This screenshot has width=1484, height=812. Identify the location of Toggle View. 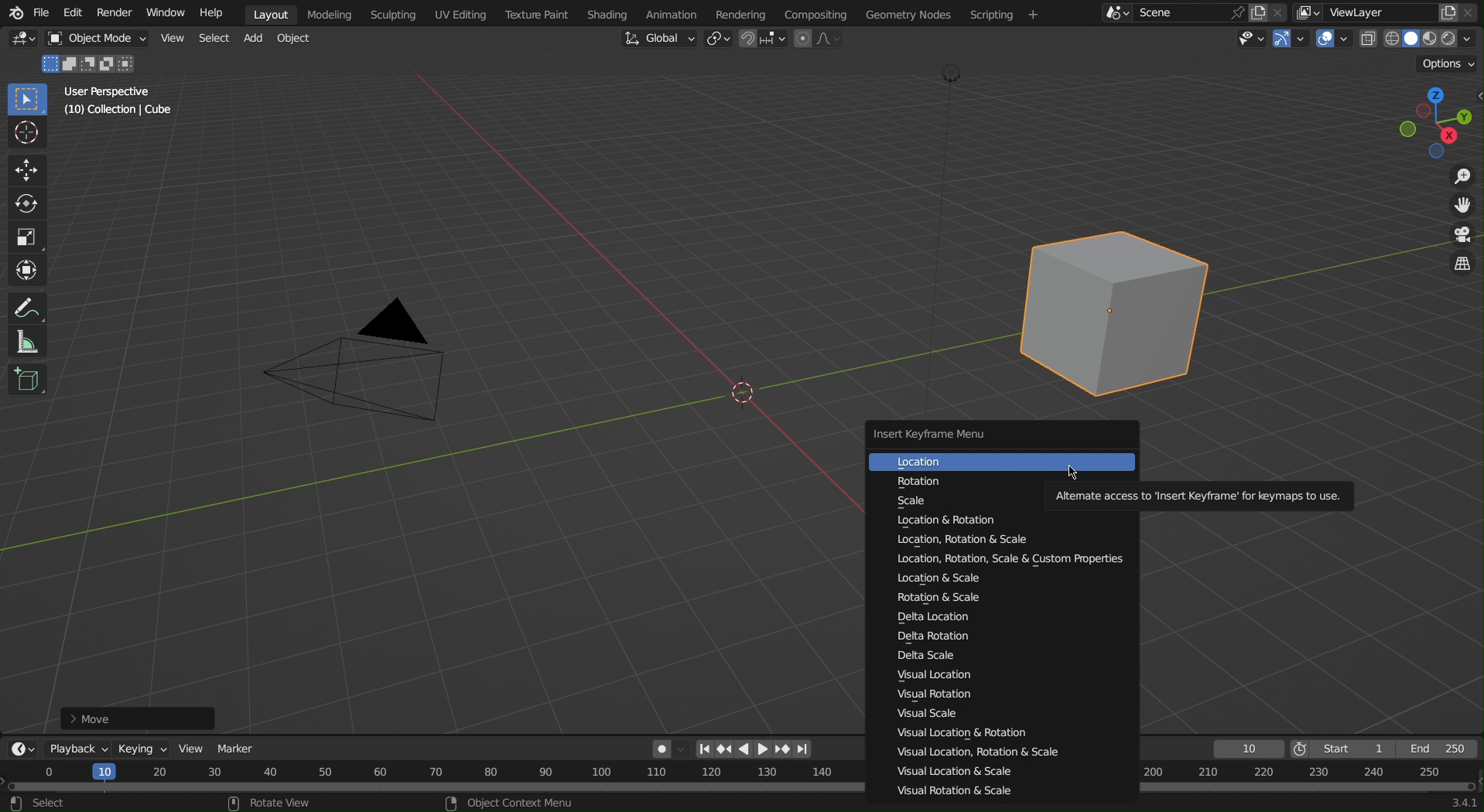
(1460, 266).